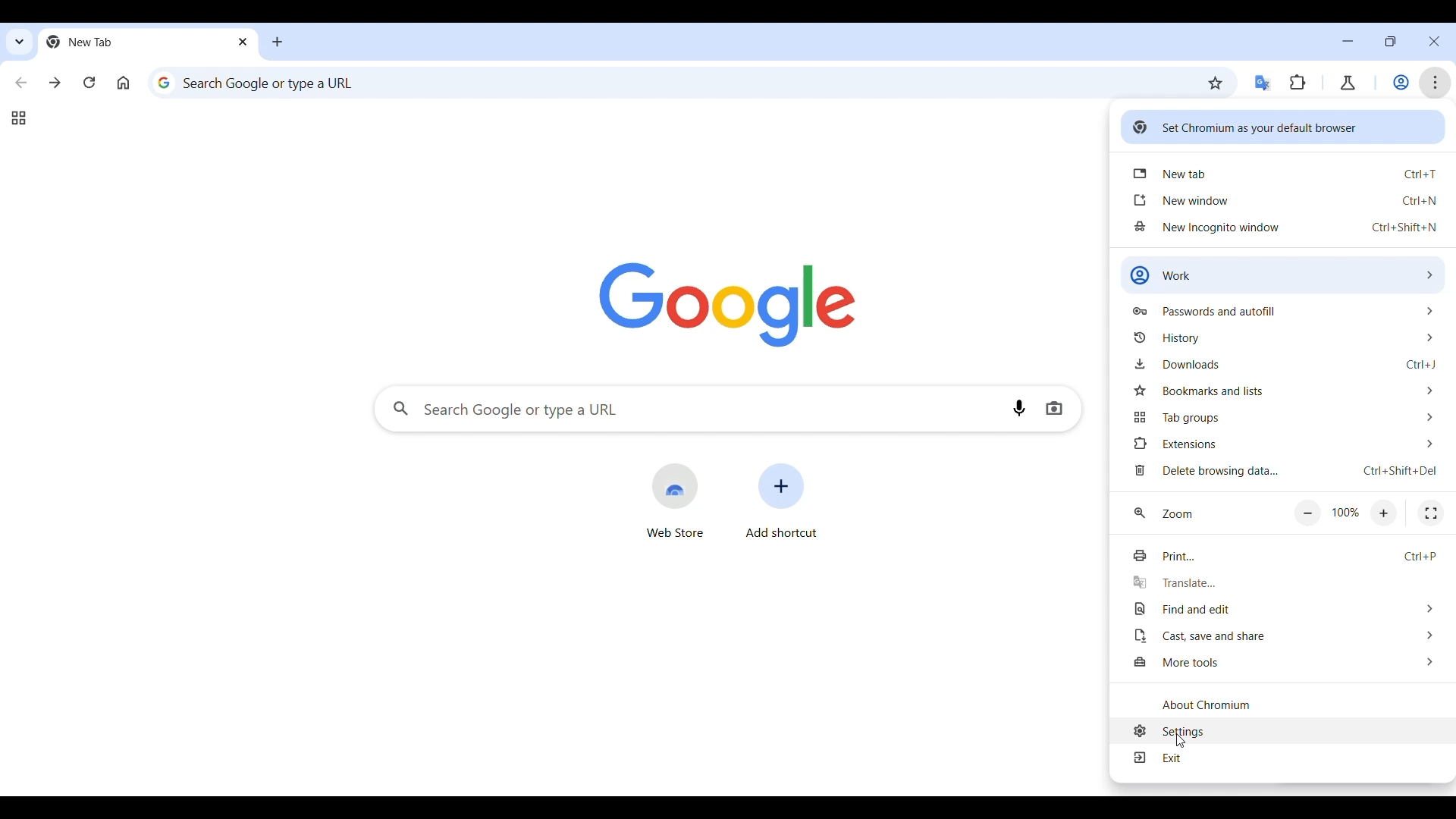 The height and width of the screenshot is (819, 1456). Describe the element at coordinates (1287, 731) in the screenshot. I see `Settings` at that location.